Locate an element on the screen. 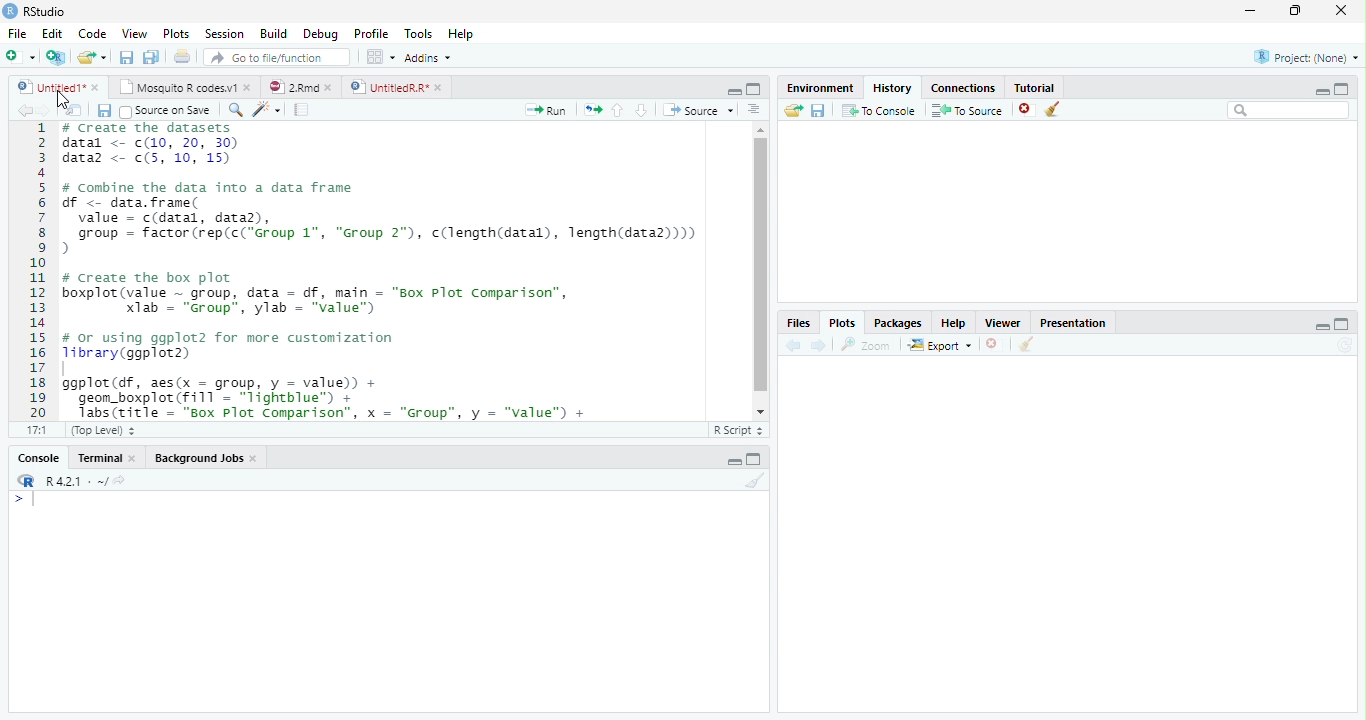 Image resolution: width=1366 pixels, height=720 pixels. File is located at coordinates (17, 33).